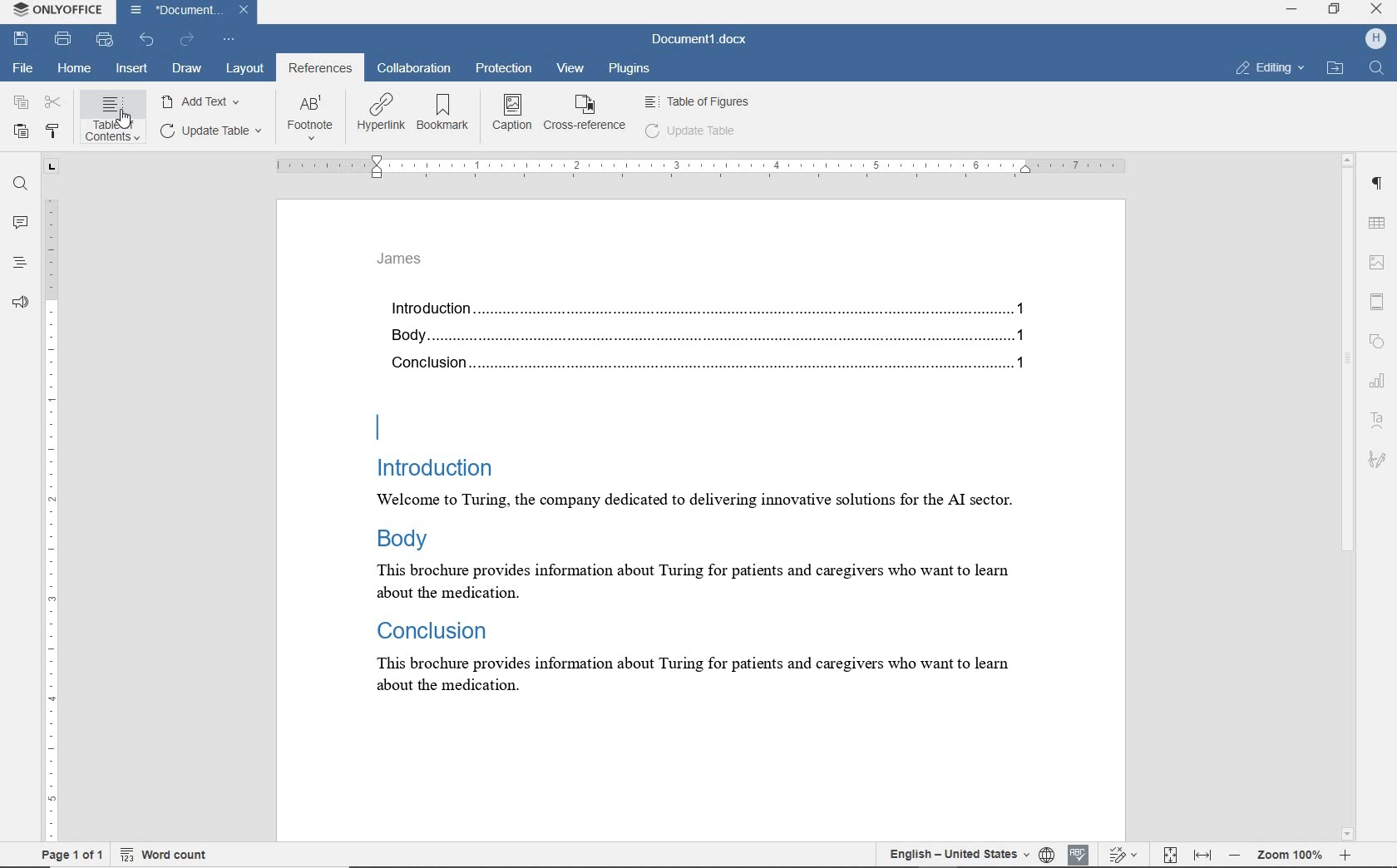 The height and width of the screenshot is (868, 1397). What do you see at coordinates (189, 40) in the screenshot?
I see `redo` at bounding box center [189, 40].